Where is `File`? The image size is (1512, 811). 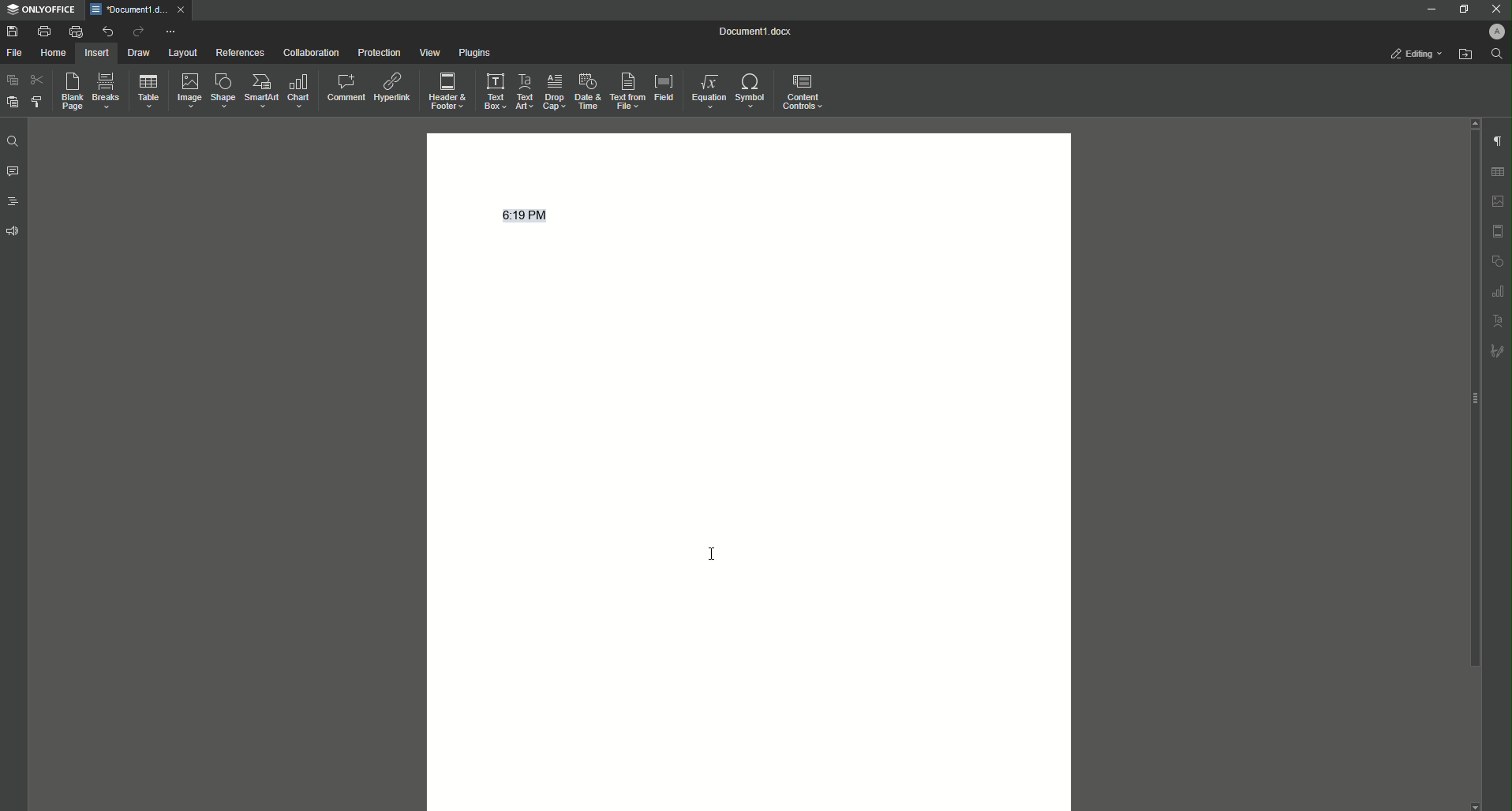 File is located at coordinates (17, 53).